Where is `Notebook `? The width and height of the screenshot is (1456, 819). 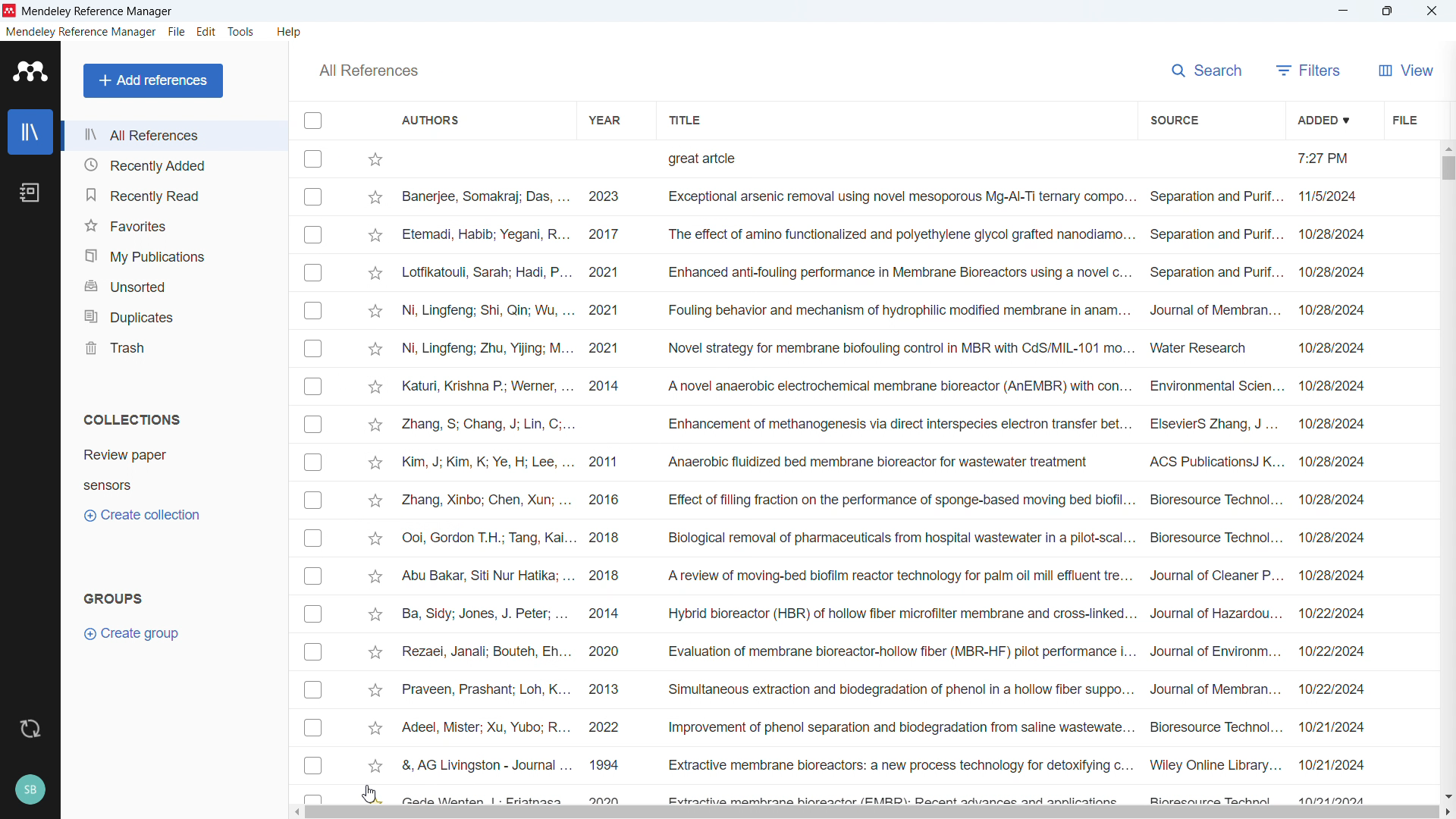 Notebook  is located at coordinates (30, 193).